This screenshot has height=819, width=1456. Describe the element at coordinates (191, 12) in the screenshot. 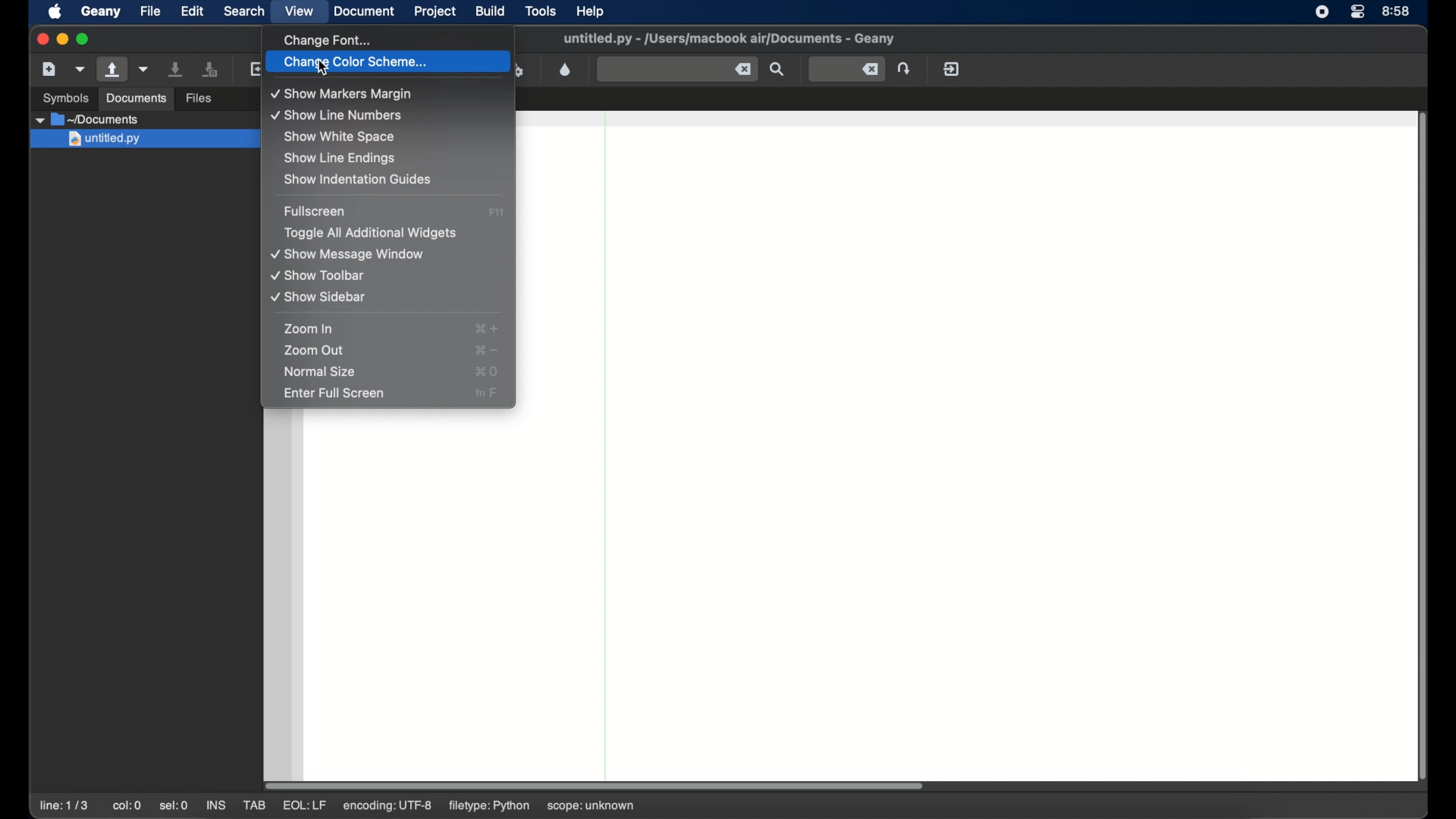

I see `edit` at that location.